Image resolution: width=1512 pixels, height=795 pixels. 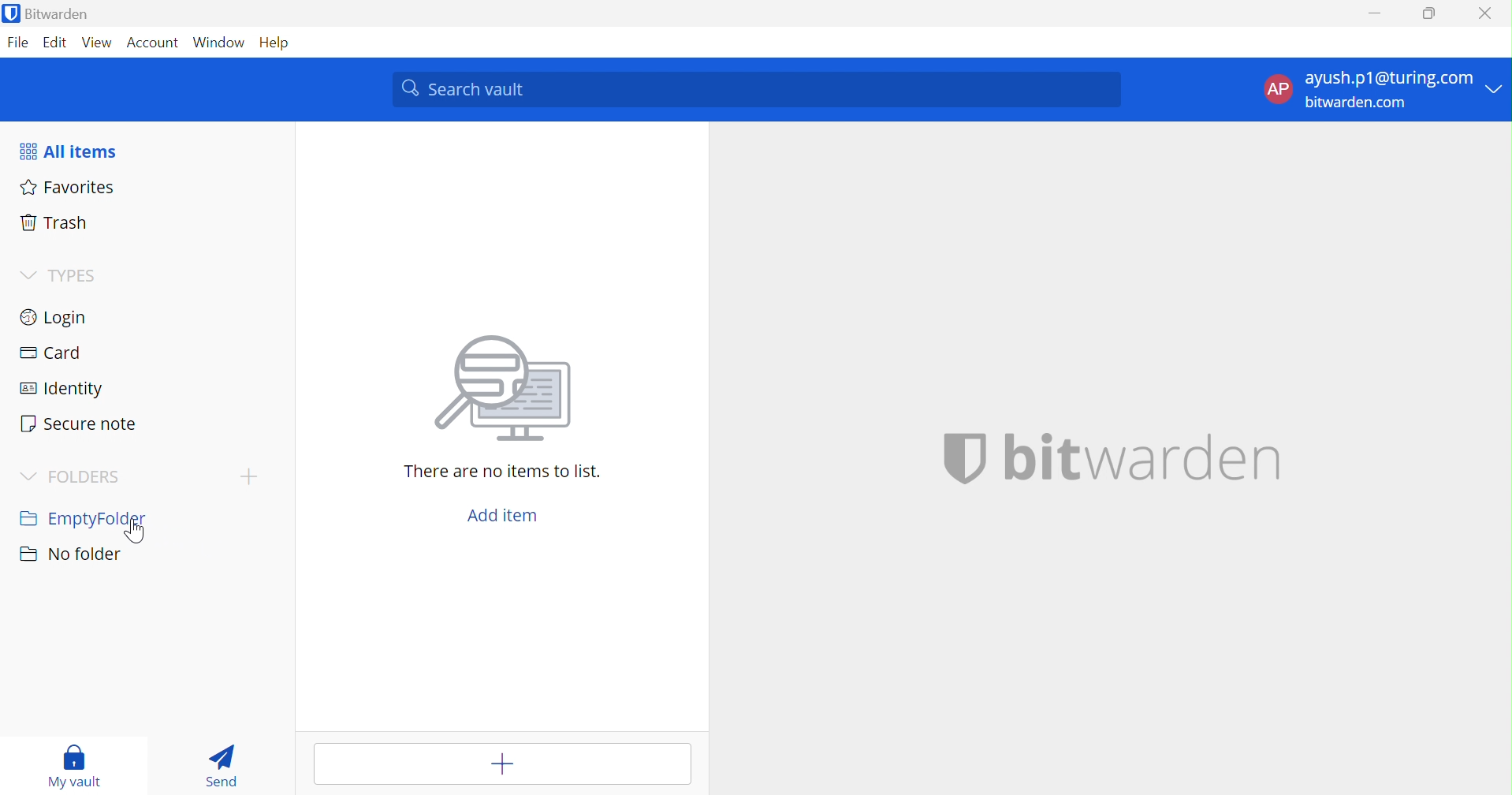 What do you see at coordinates (69, 151) in the screenshot?
I see `All items` at bounding box center [69, 151].